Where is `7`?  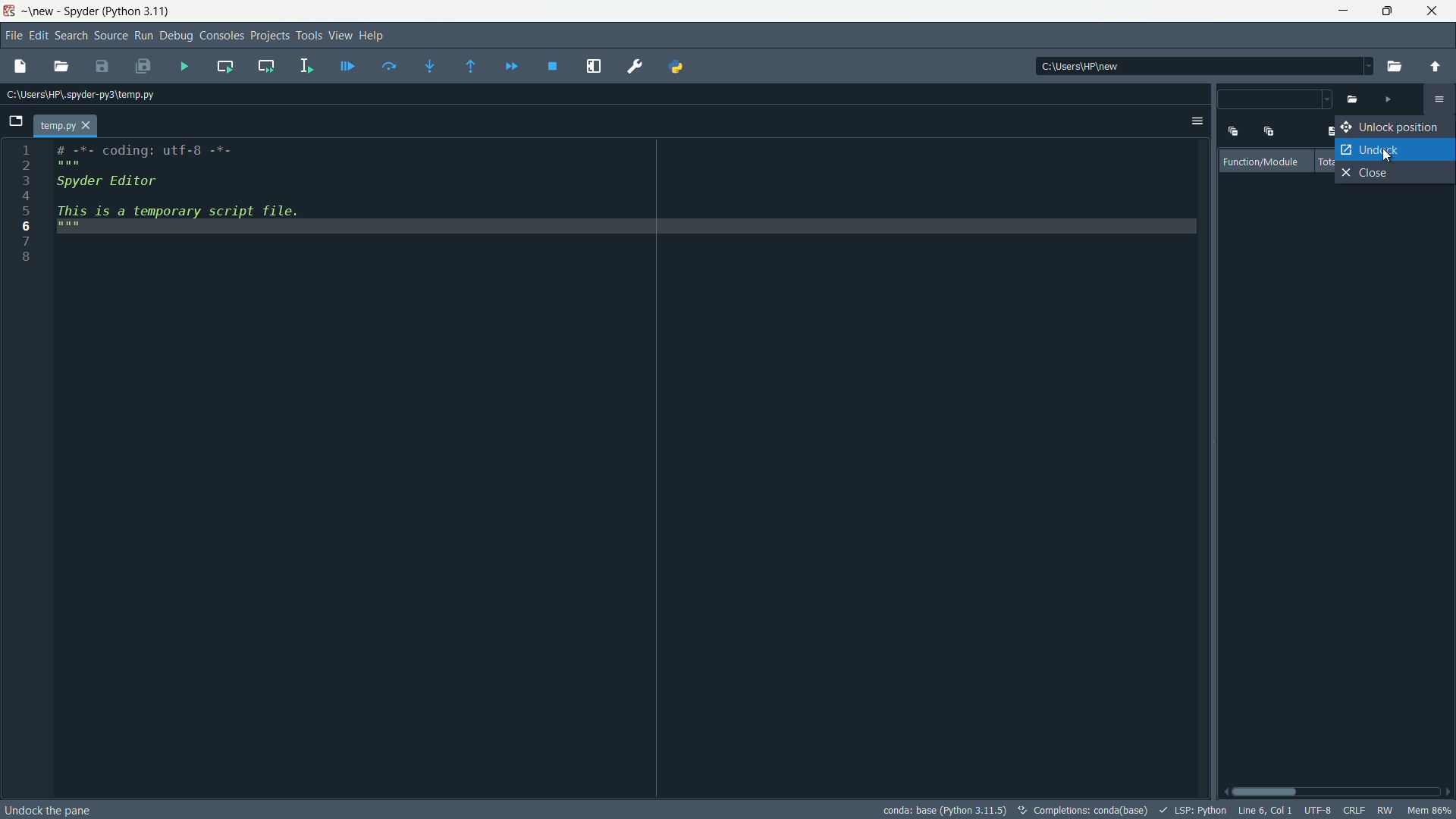 7 is located at coordinates (26, 240).